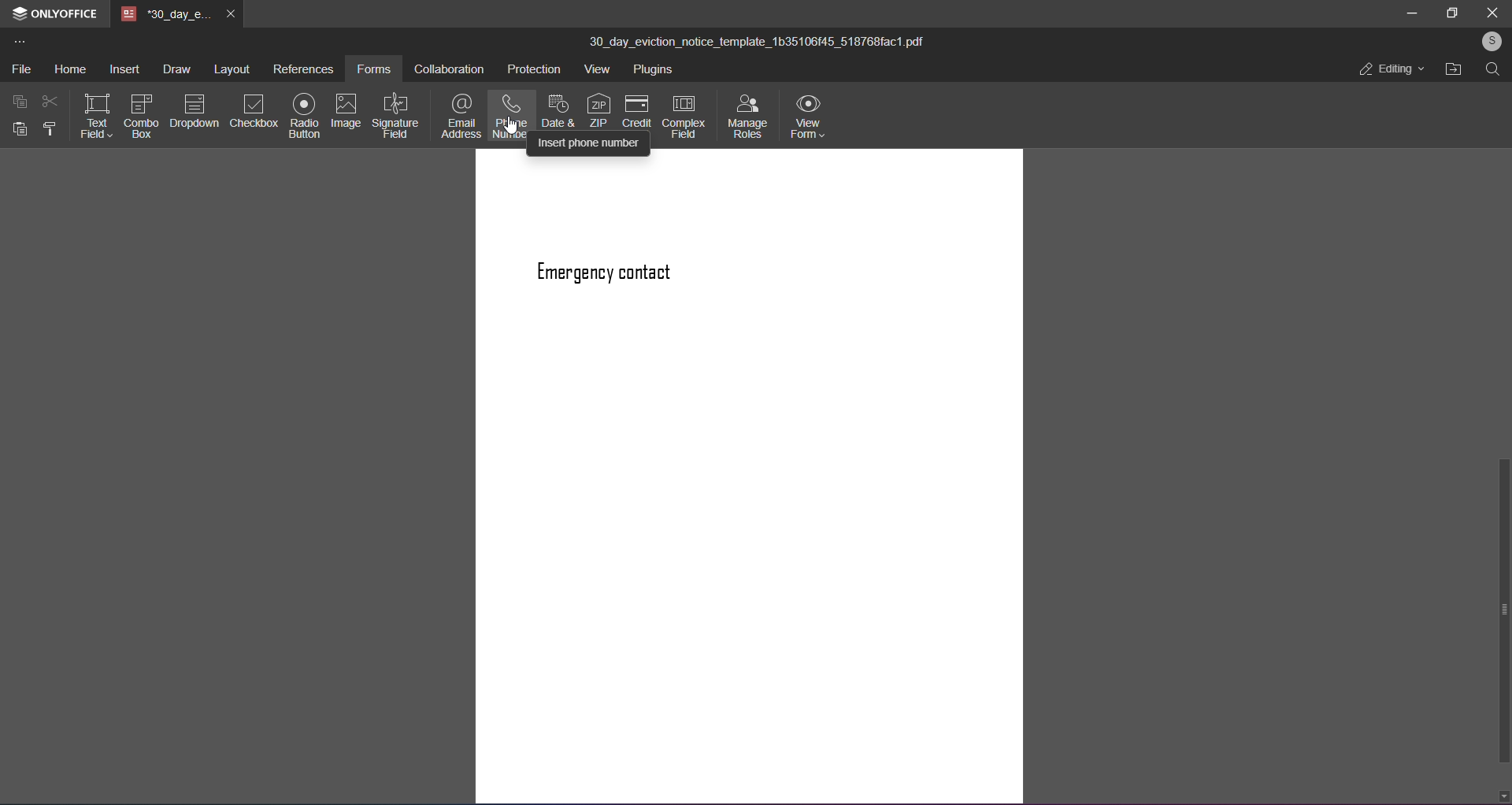 The height and width of the screenshot is (805, 1512). Describe the element at coordinates (459, 117) in the screenshot. I see `email address` at that location.